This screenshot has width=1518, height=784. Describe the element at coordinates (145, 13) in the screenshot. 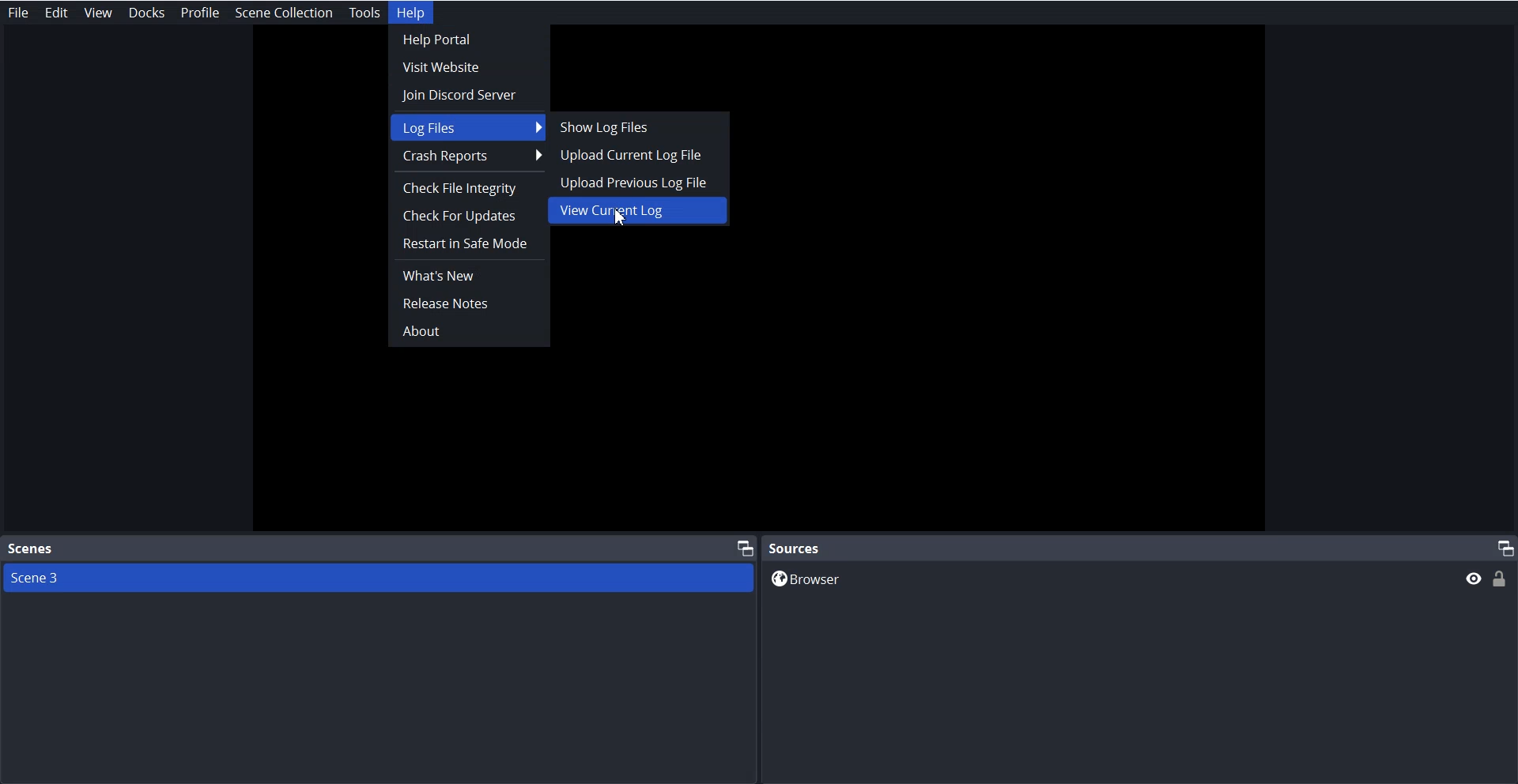

I see `Docks` at that location.